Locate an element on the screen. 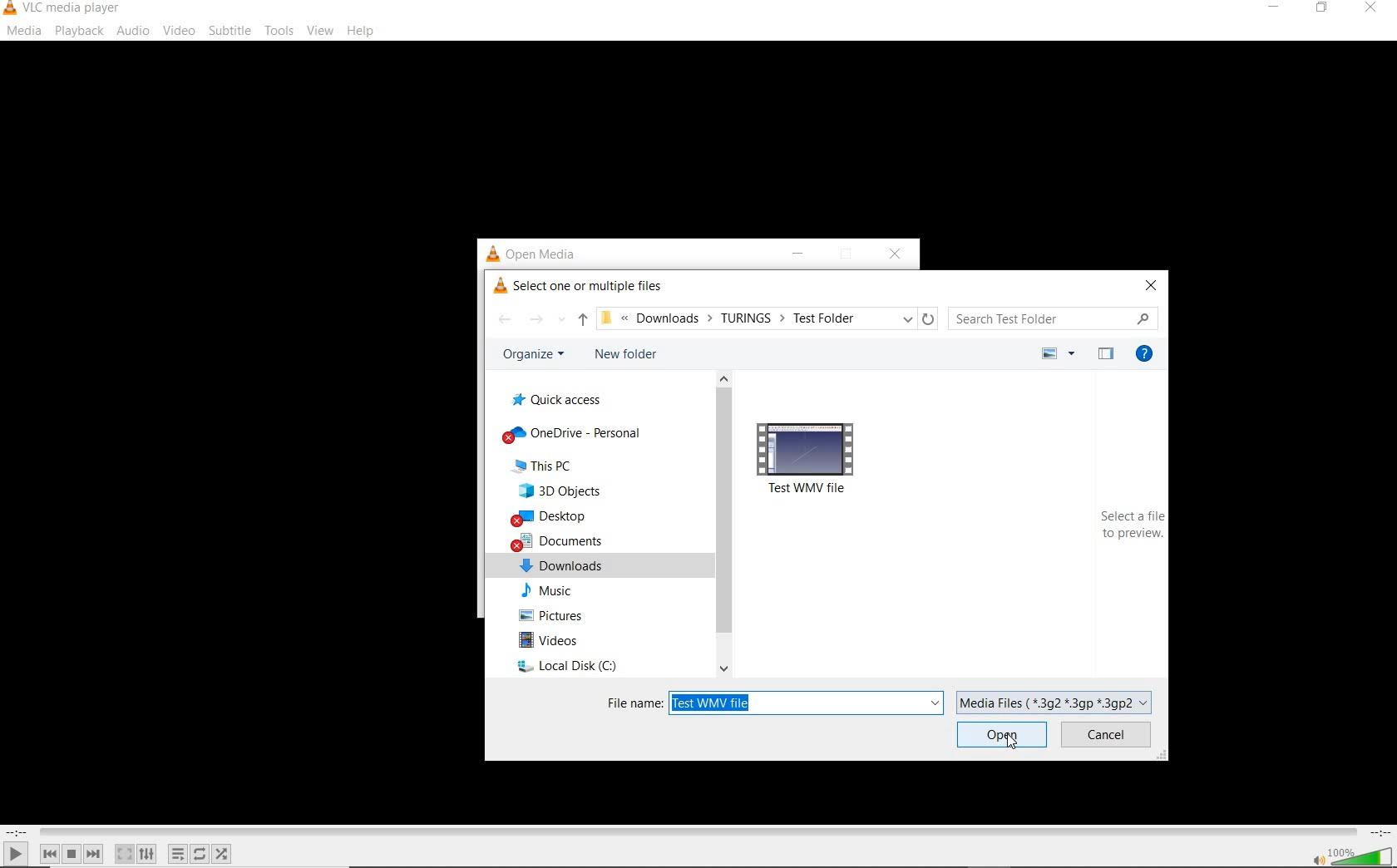 The image size is (1397, 868). tools is located at coordinates (278, 28).